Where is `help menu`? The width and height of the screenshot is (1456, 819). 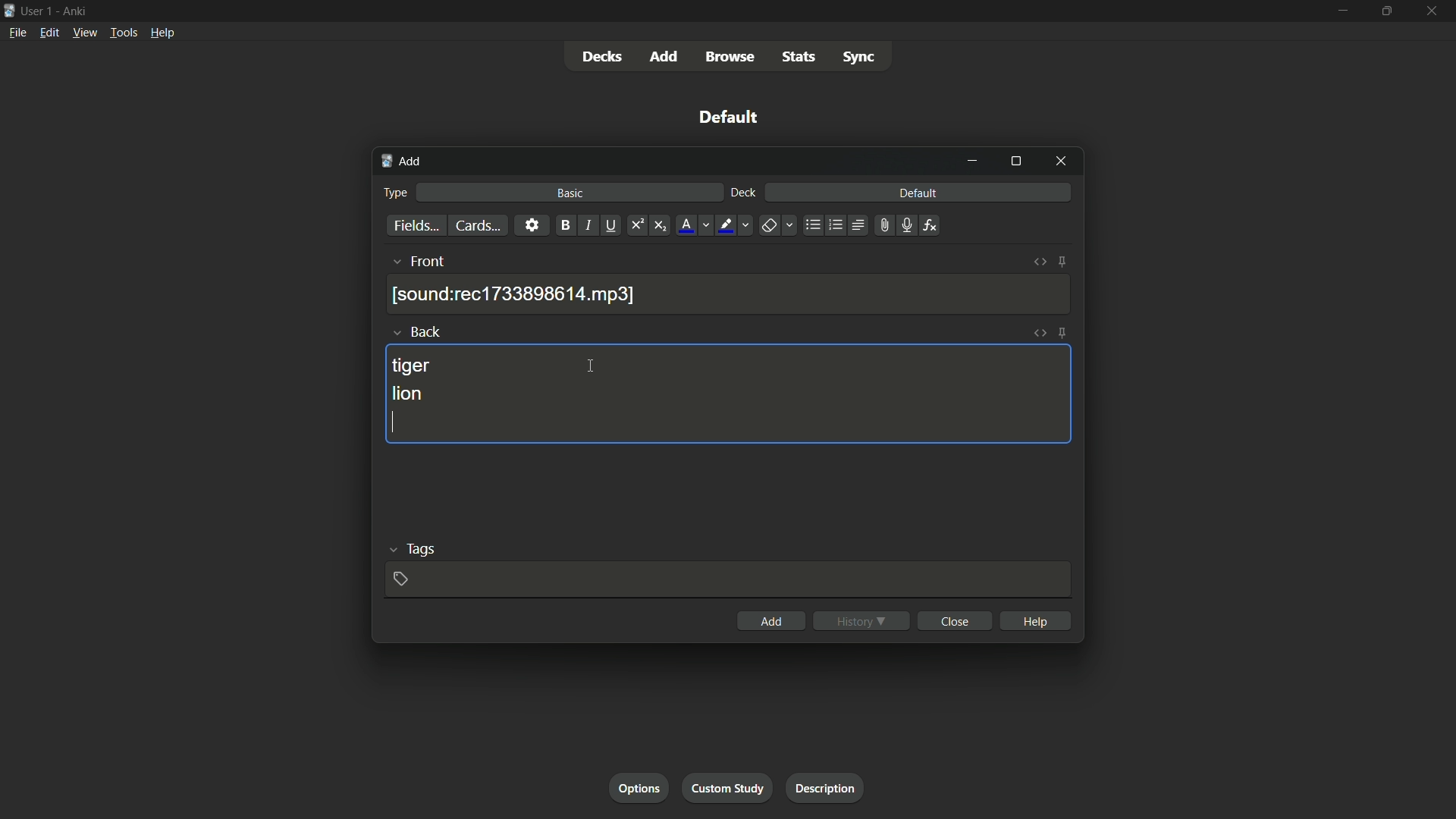
help menu is located at coordinates (162, 33).